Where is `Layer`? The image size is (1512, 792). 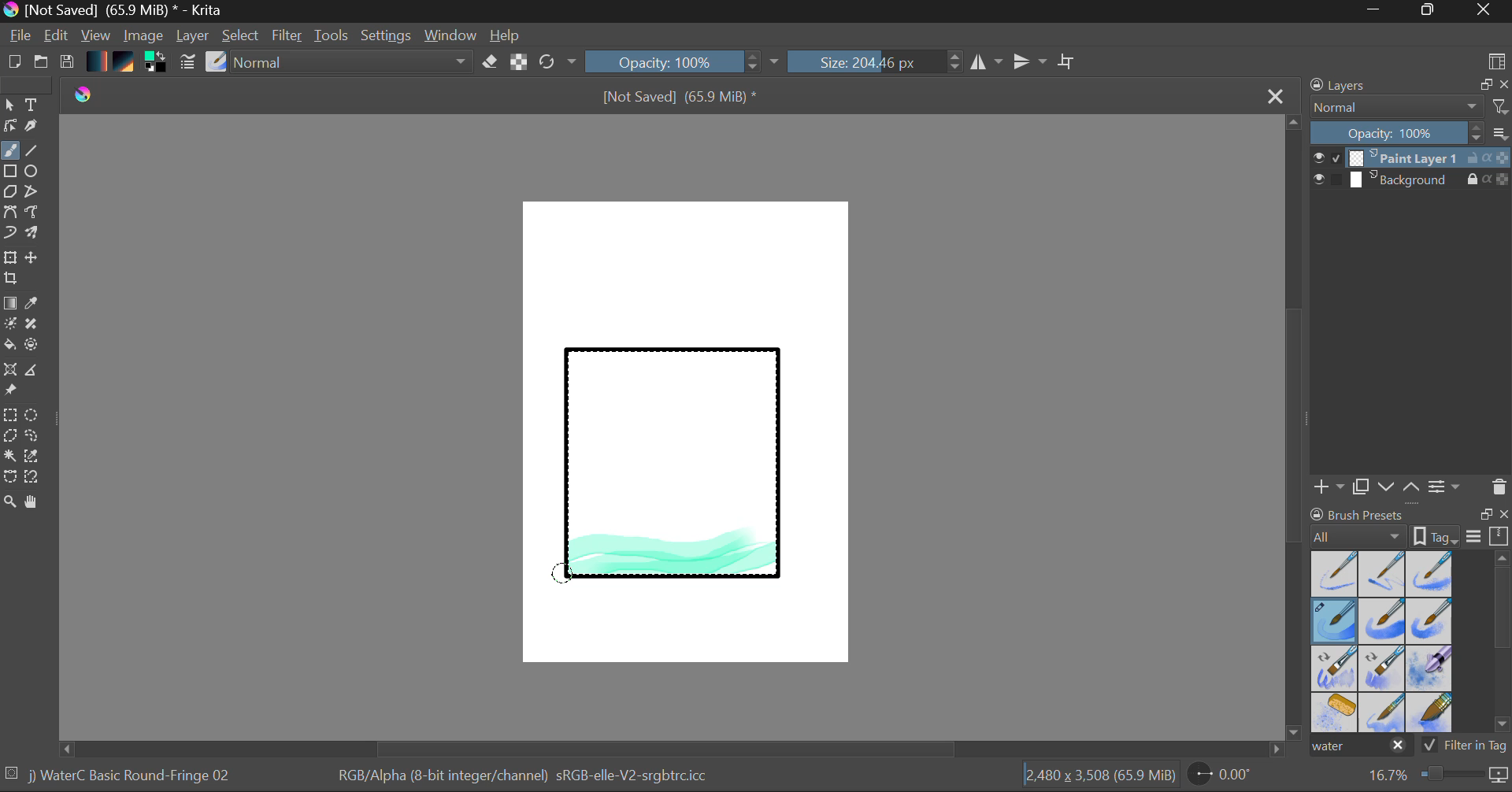 Layer is located at coordinates (195, 35).